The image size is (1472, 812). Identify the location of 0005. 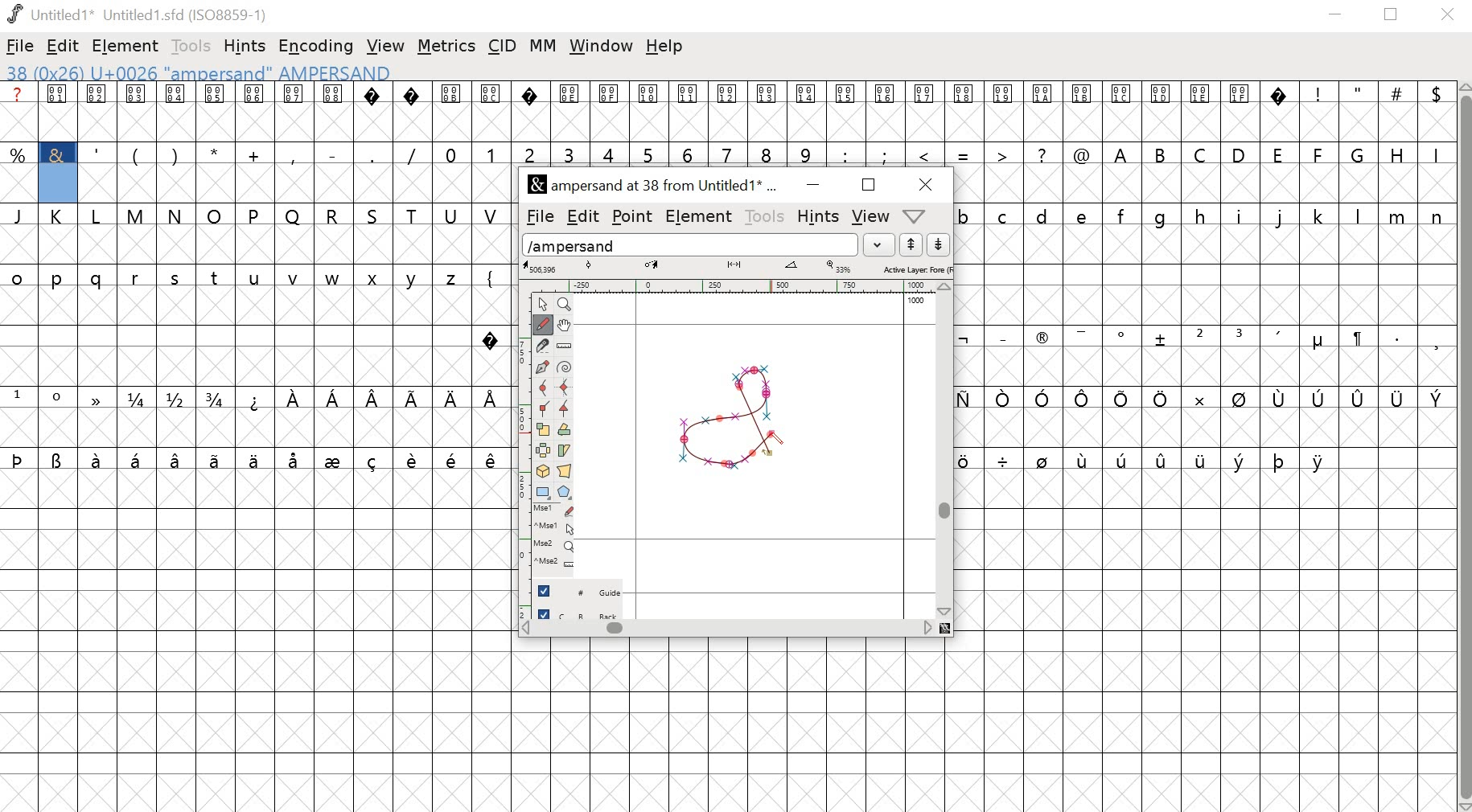
(214, 112).